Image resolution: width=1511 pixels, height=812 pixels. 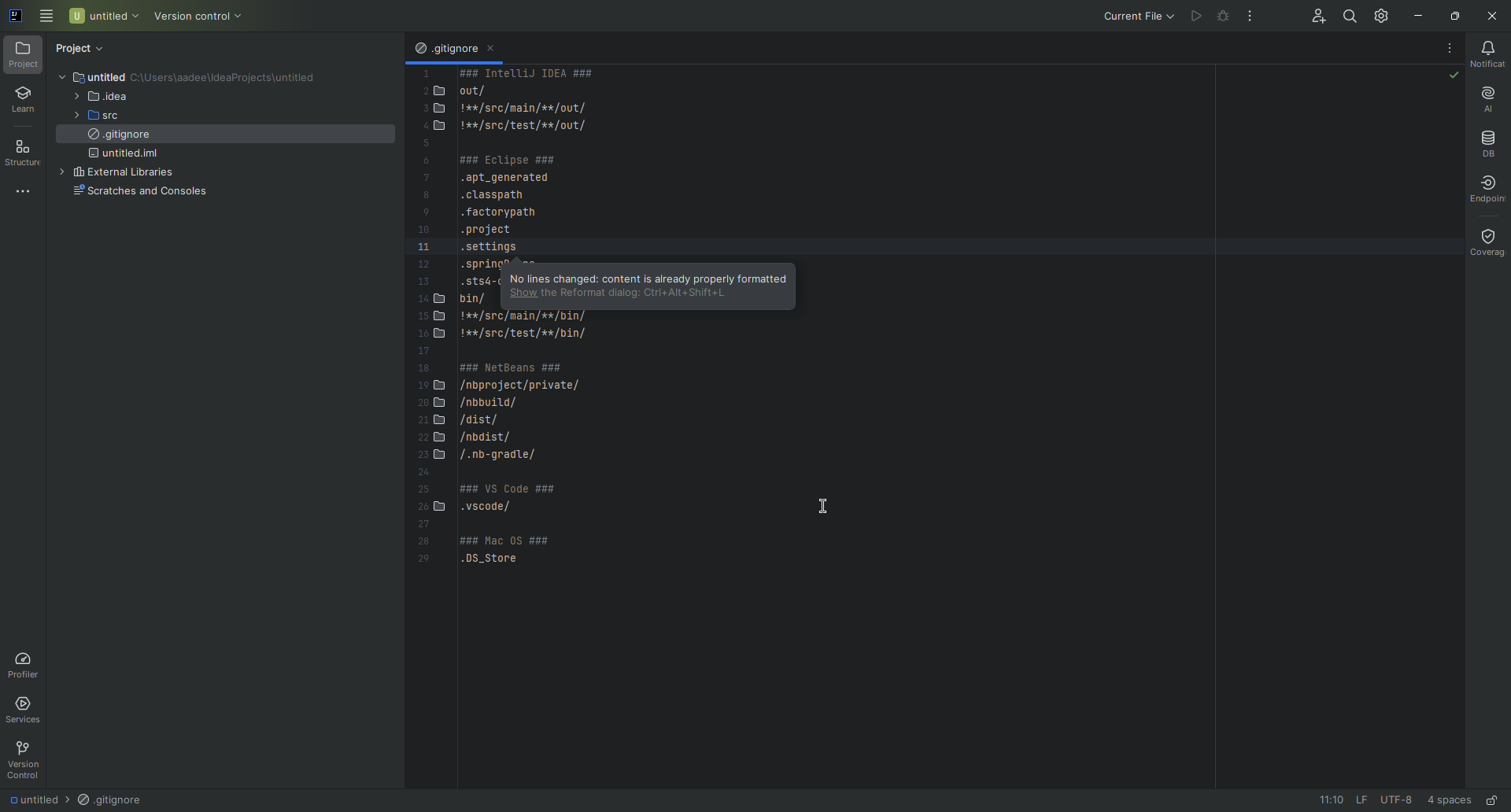 What do you see at coordinates (26, 152) in the screenshot?
I see `Structure` at bounding box center [26, 152].